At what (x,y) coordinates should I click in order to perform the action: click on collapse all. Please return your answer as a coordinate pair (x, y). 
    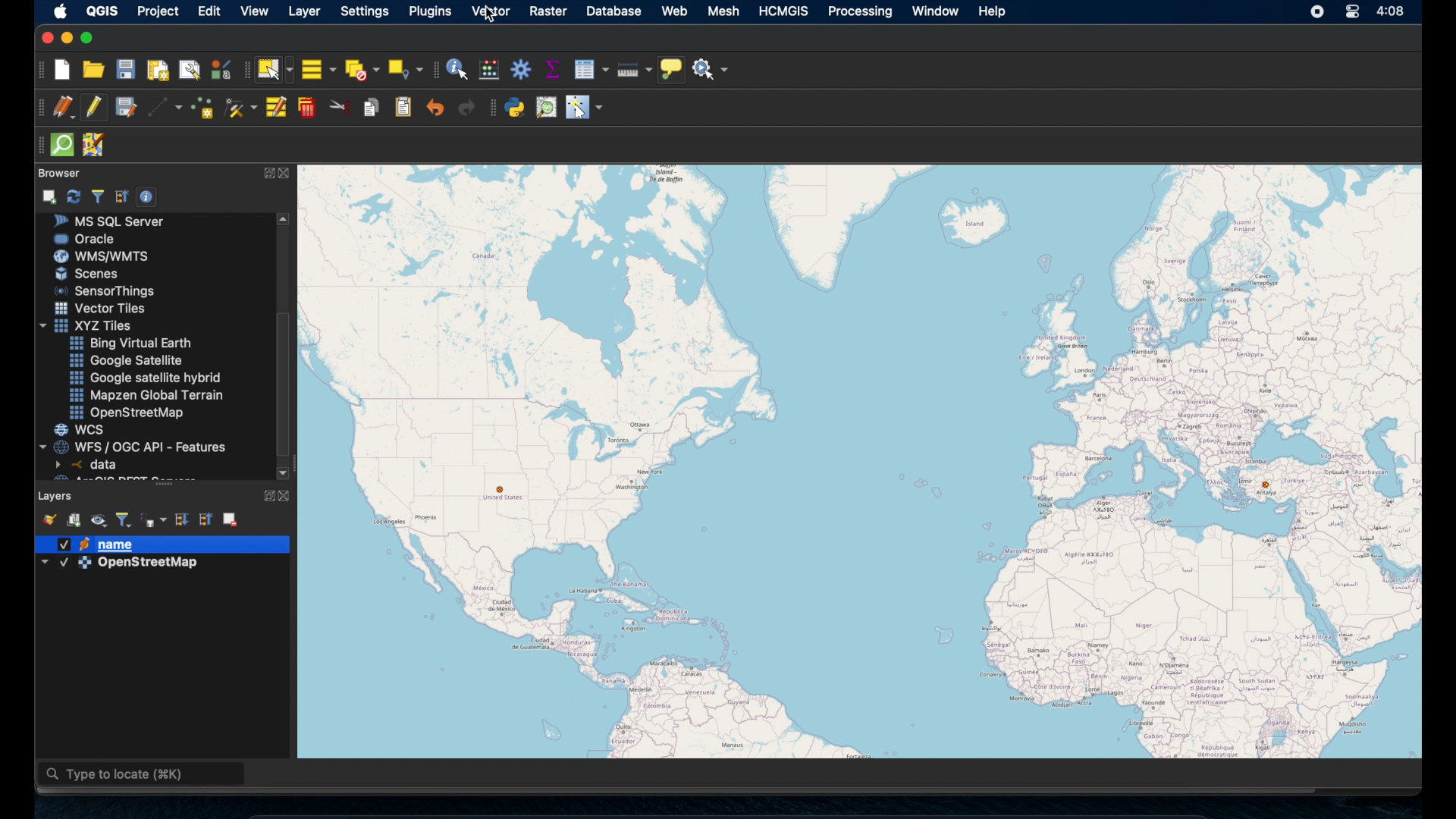
    Looking at the image, I should click on (121, 195).